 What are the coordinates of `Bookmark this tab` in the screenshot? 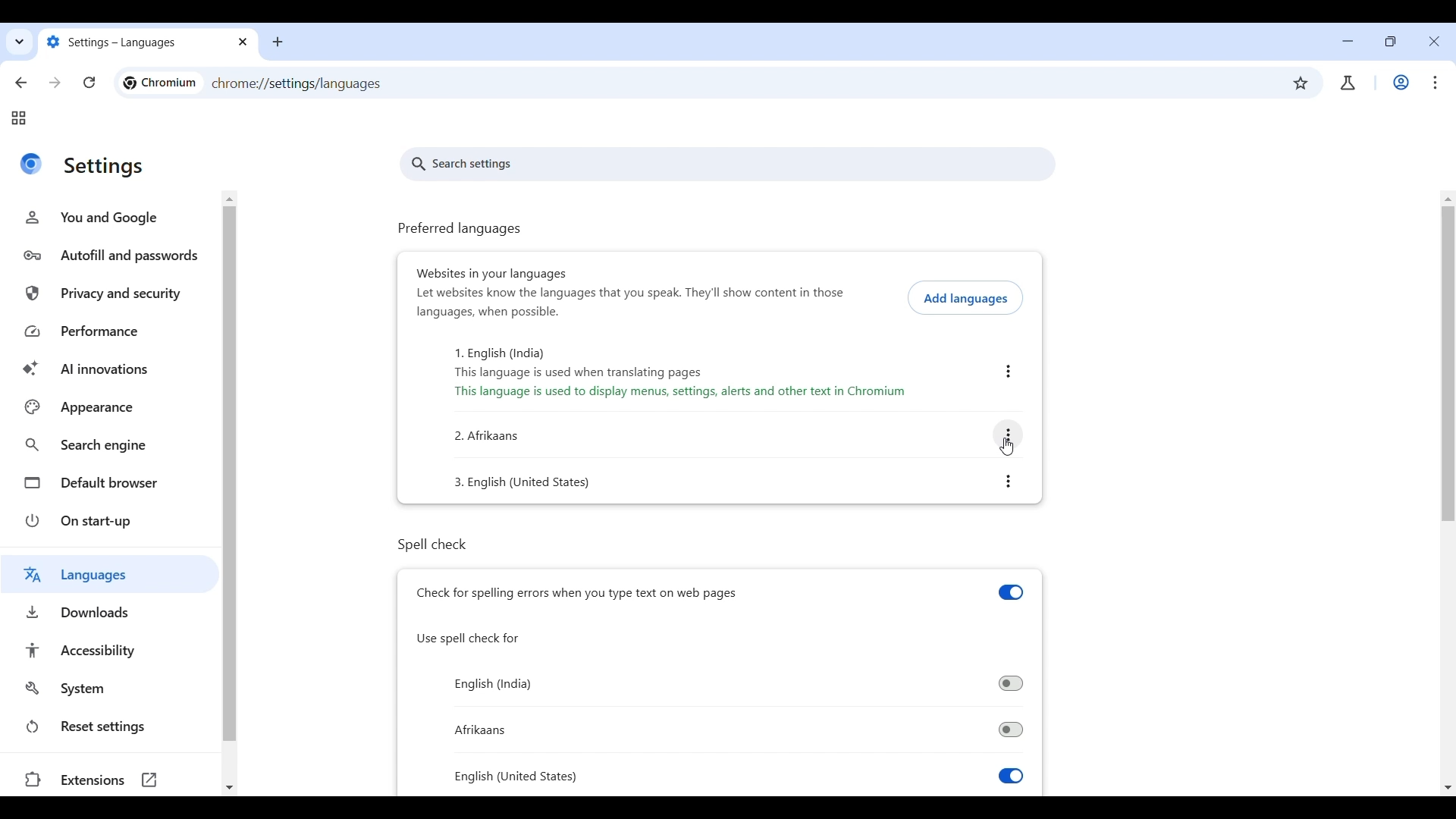 It's located at (1301, 83).